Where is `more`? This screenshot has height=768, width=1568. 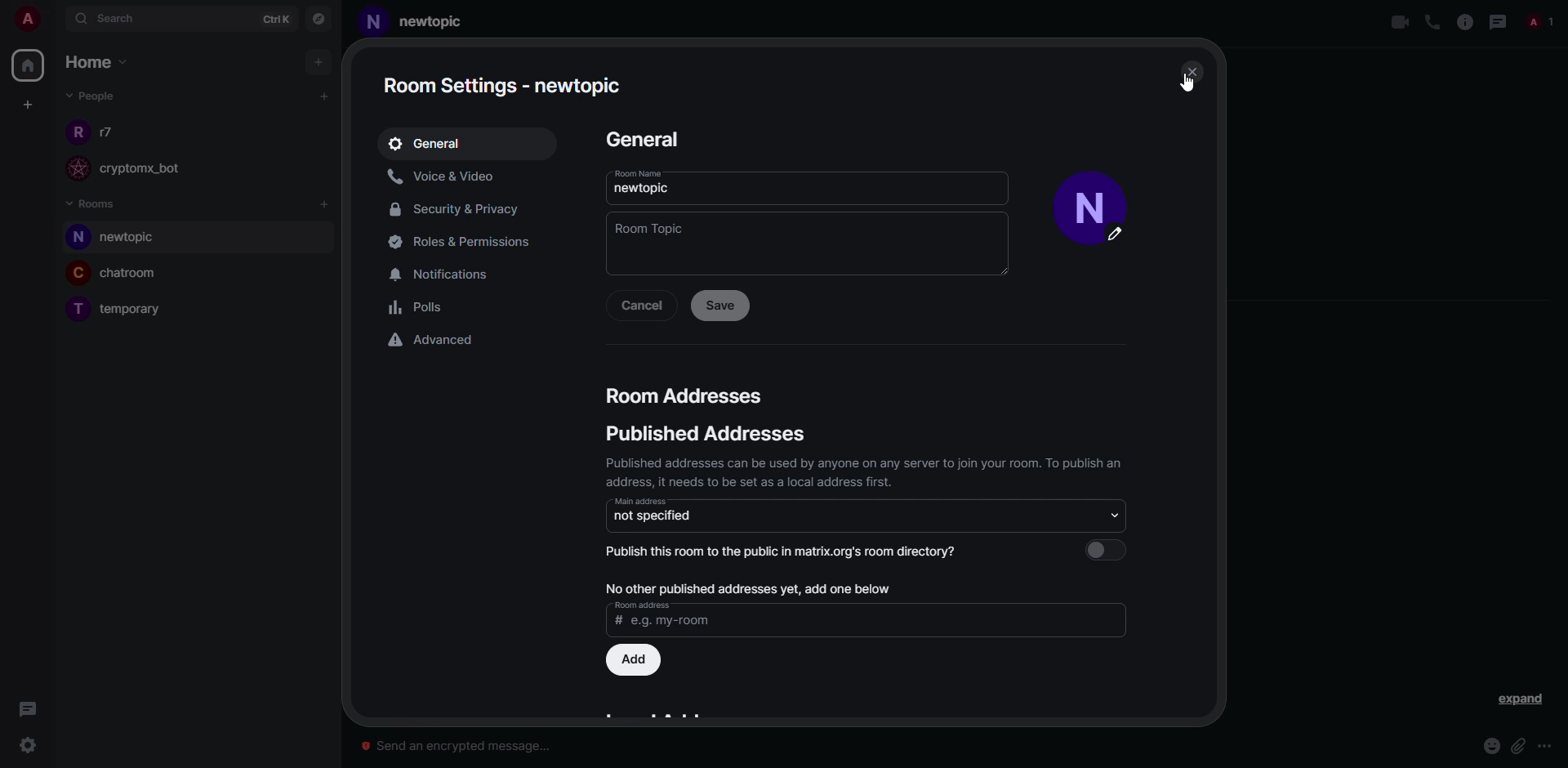 more is located at coordinates (1547, 747).